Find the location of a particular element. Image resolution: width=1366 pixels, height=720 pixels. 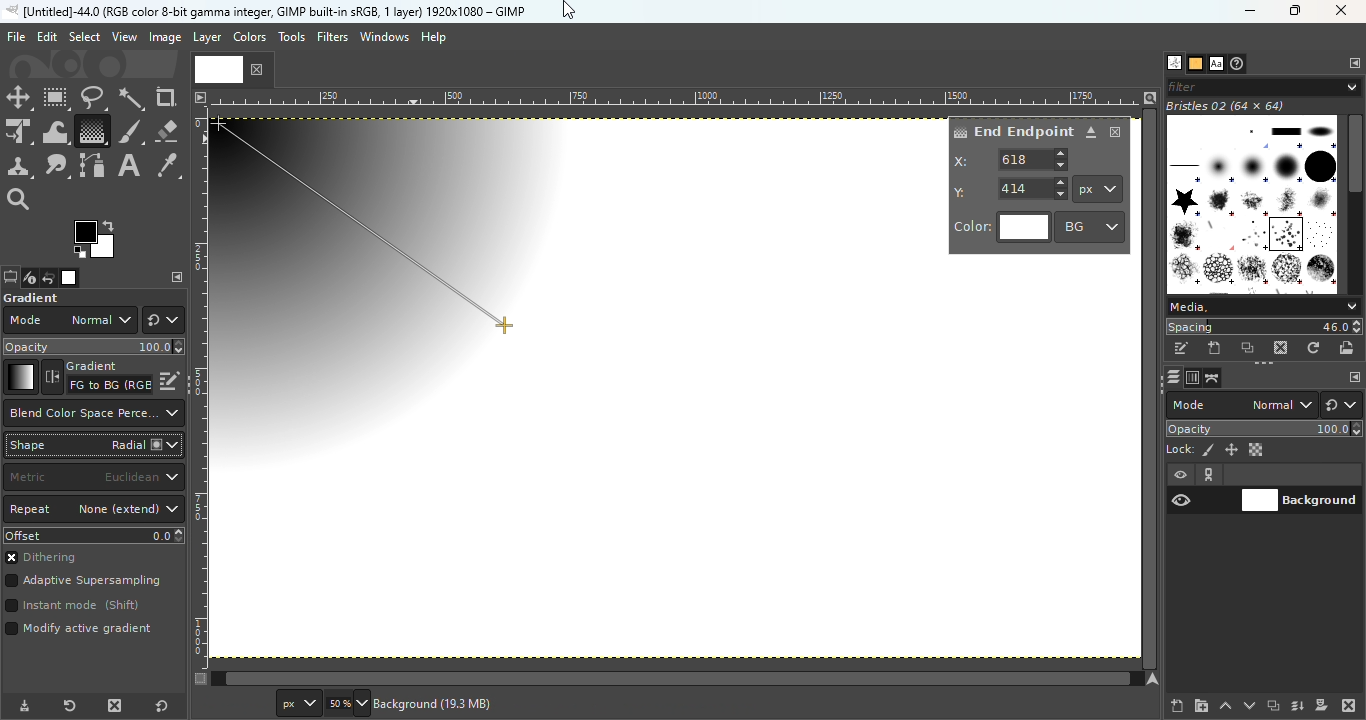

Delete tool preset is located at coordinates (110, 706).